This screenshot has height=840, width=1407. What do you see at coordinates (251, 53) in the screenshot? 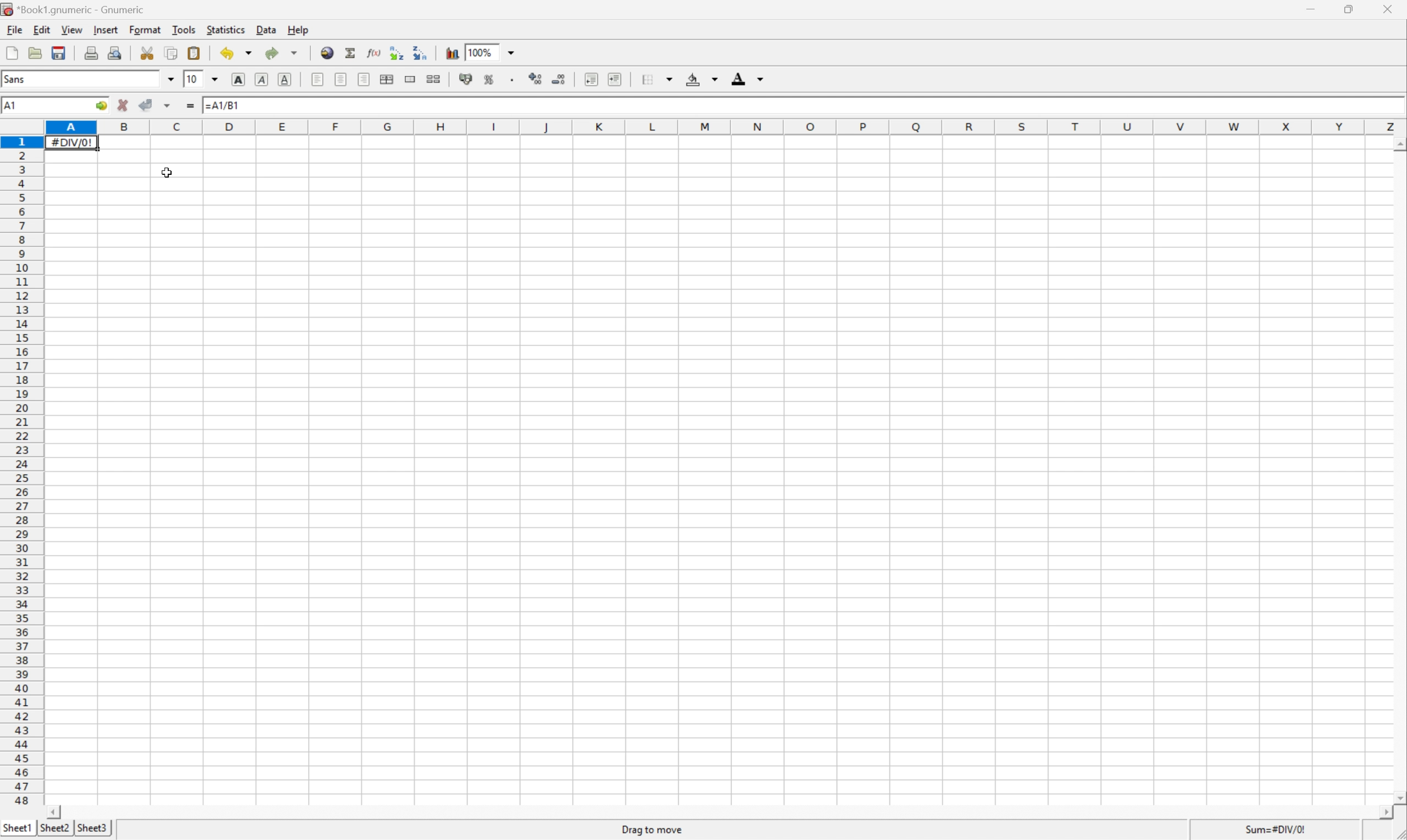
I see `Drop down` at bounding box center [251, 53].